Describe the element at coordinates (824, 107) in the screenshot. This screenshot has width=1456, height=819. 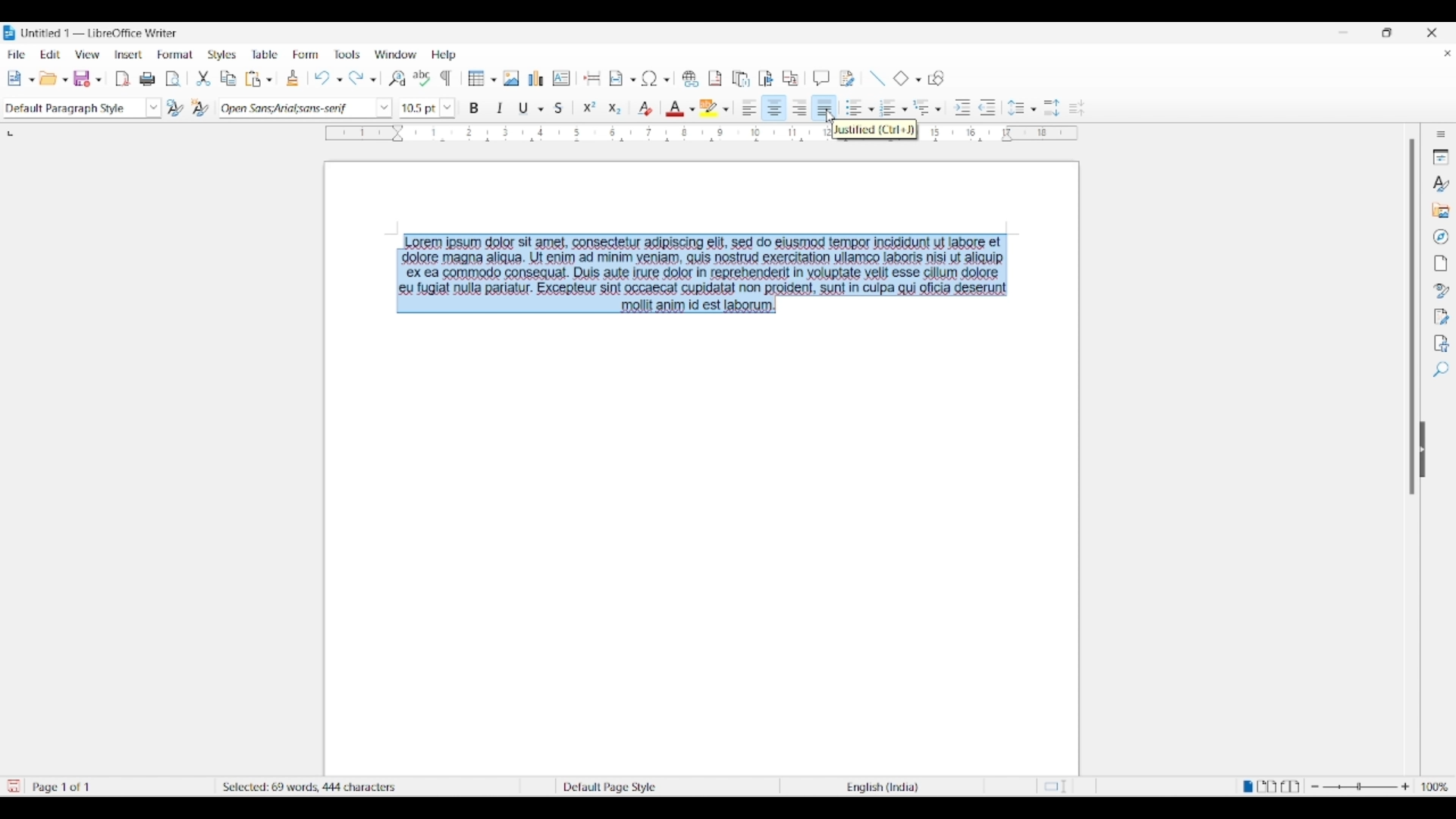
I see `Justified` at that location.